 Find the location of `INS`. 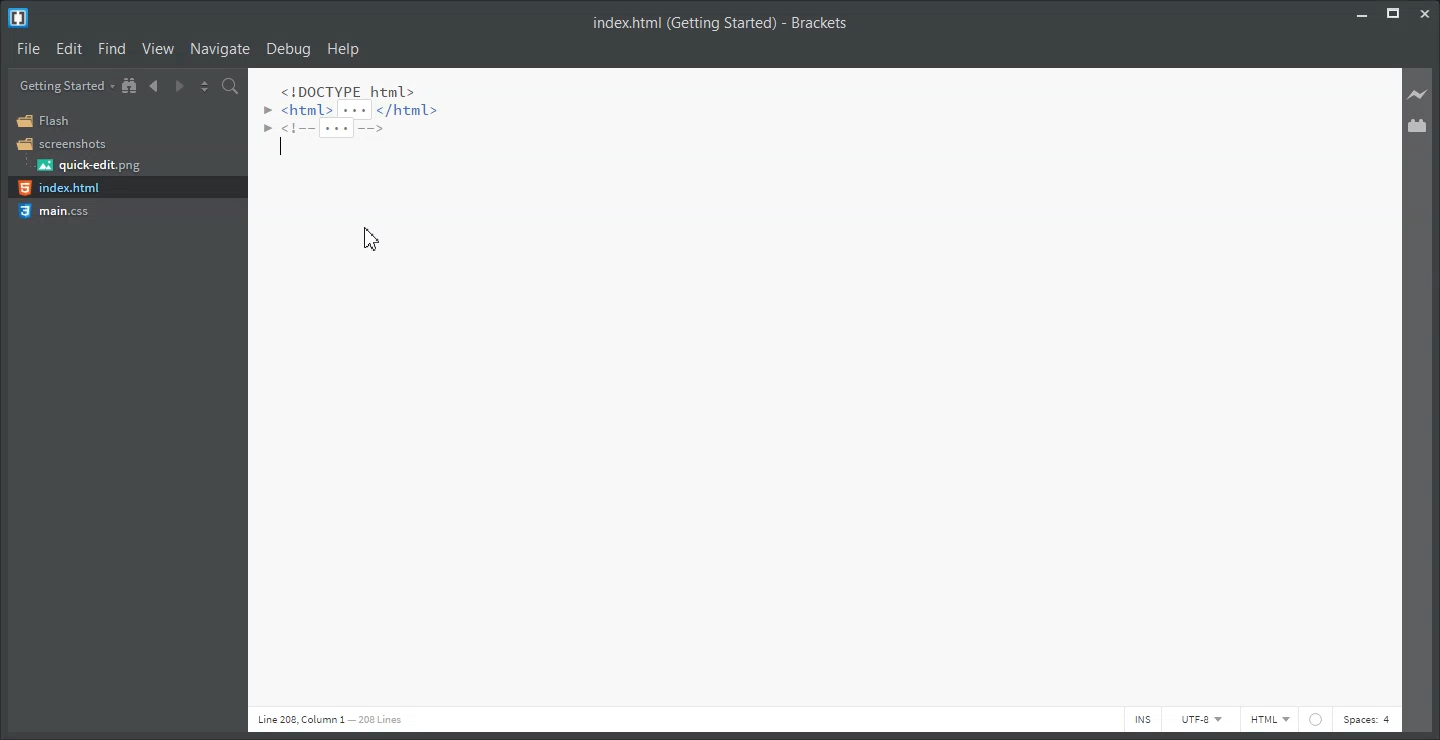

INS is located at coordinates (1143, 719).